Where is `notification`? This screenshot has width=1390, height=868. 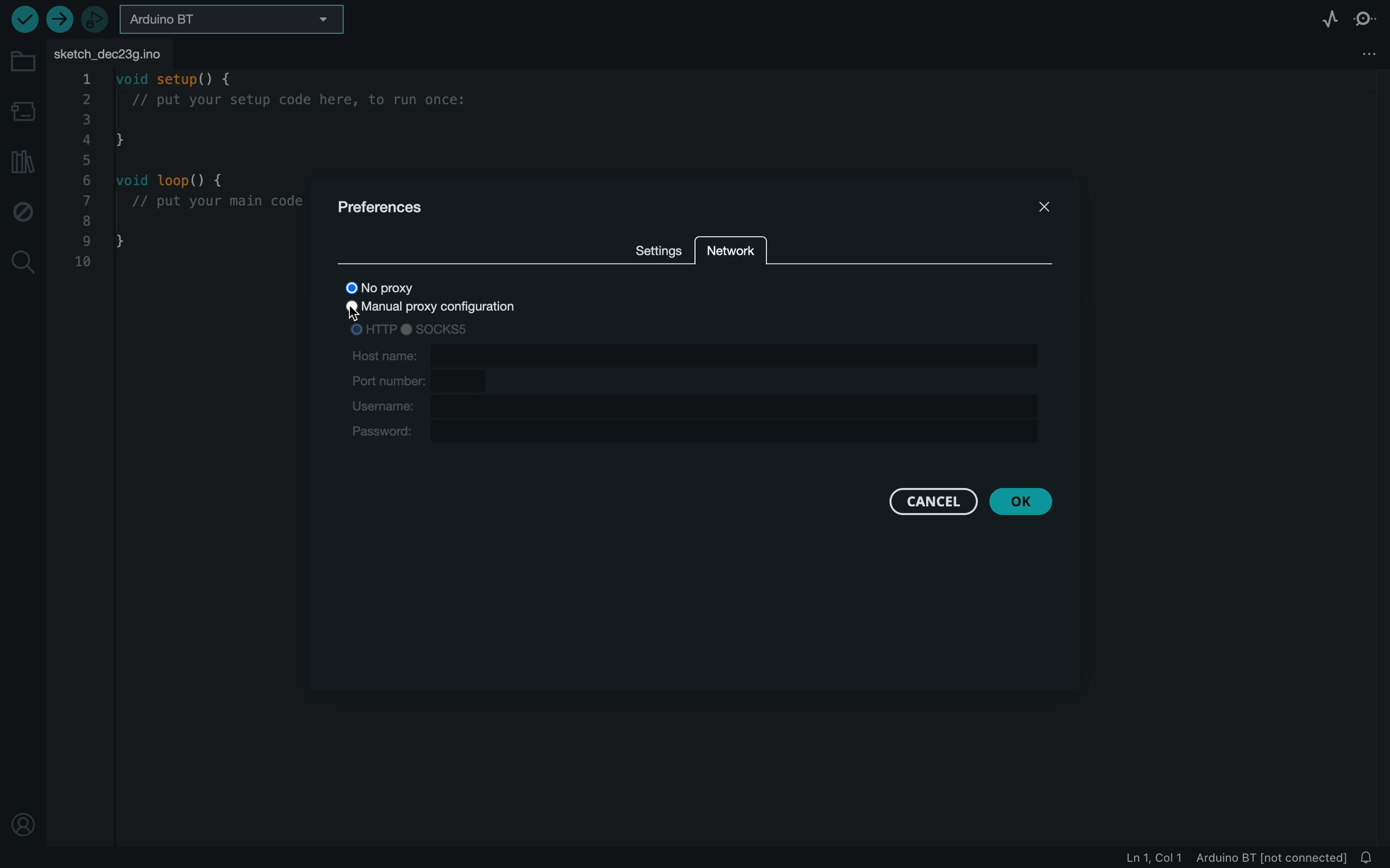
notification is located at coordinates (1368, 858).